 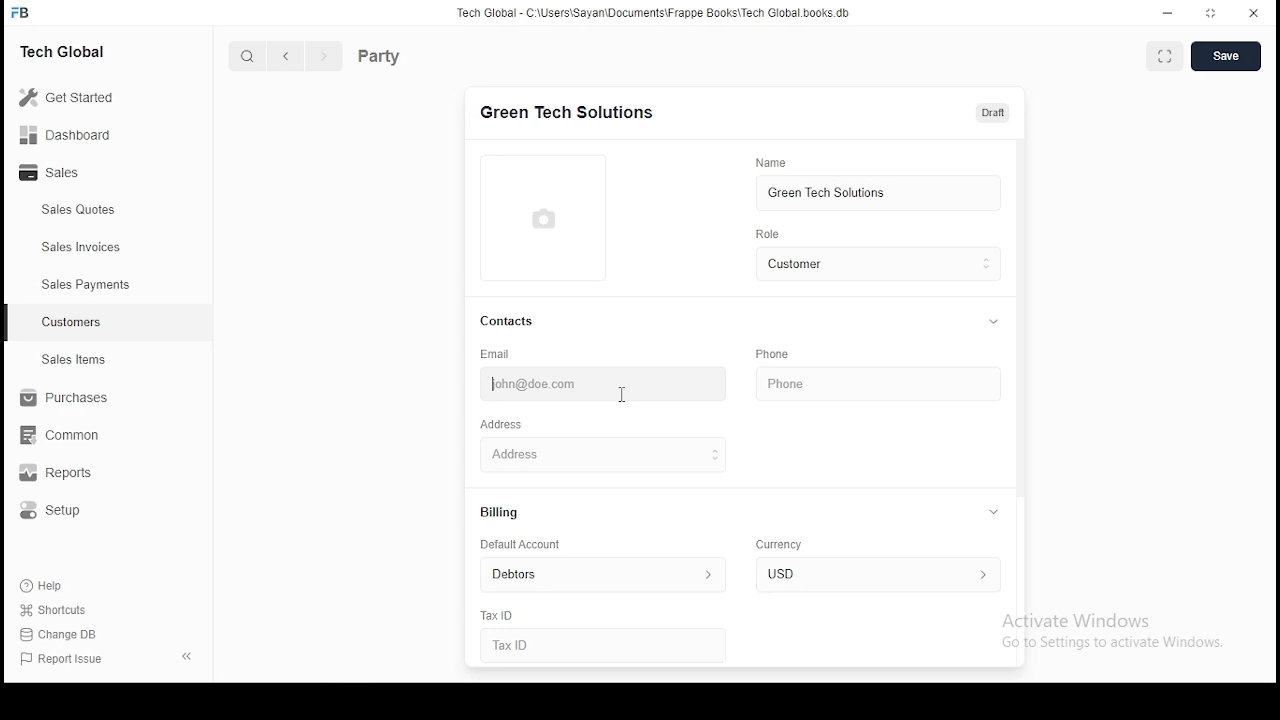 What do you see at coordinates (519, 545) in the screenshot?
I see `default account` at bounding box center [519, 545].